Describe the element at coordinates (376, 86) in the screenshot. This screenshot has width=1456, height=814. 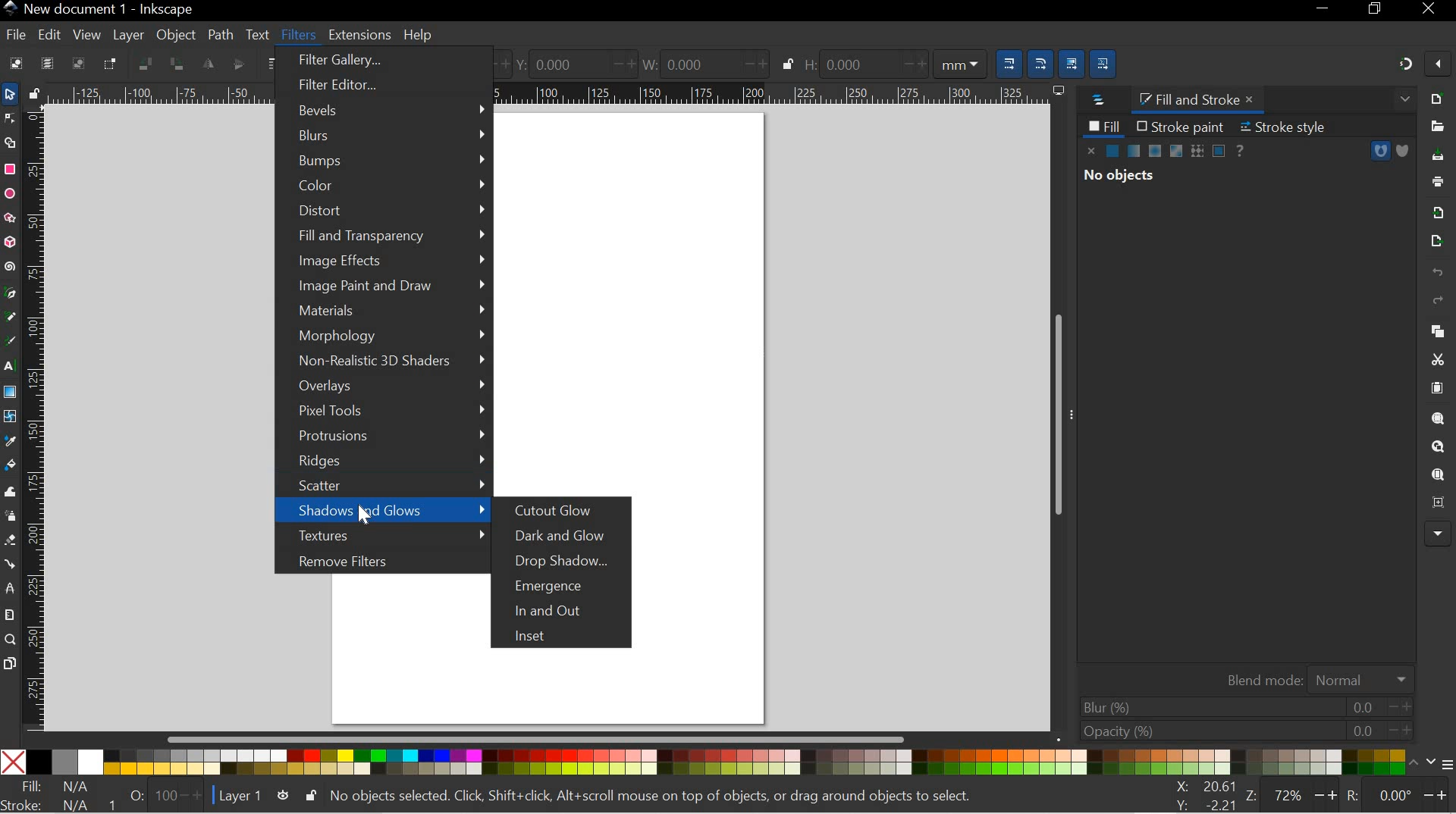
I see `FILTER EDITOR` at that location.